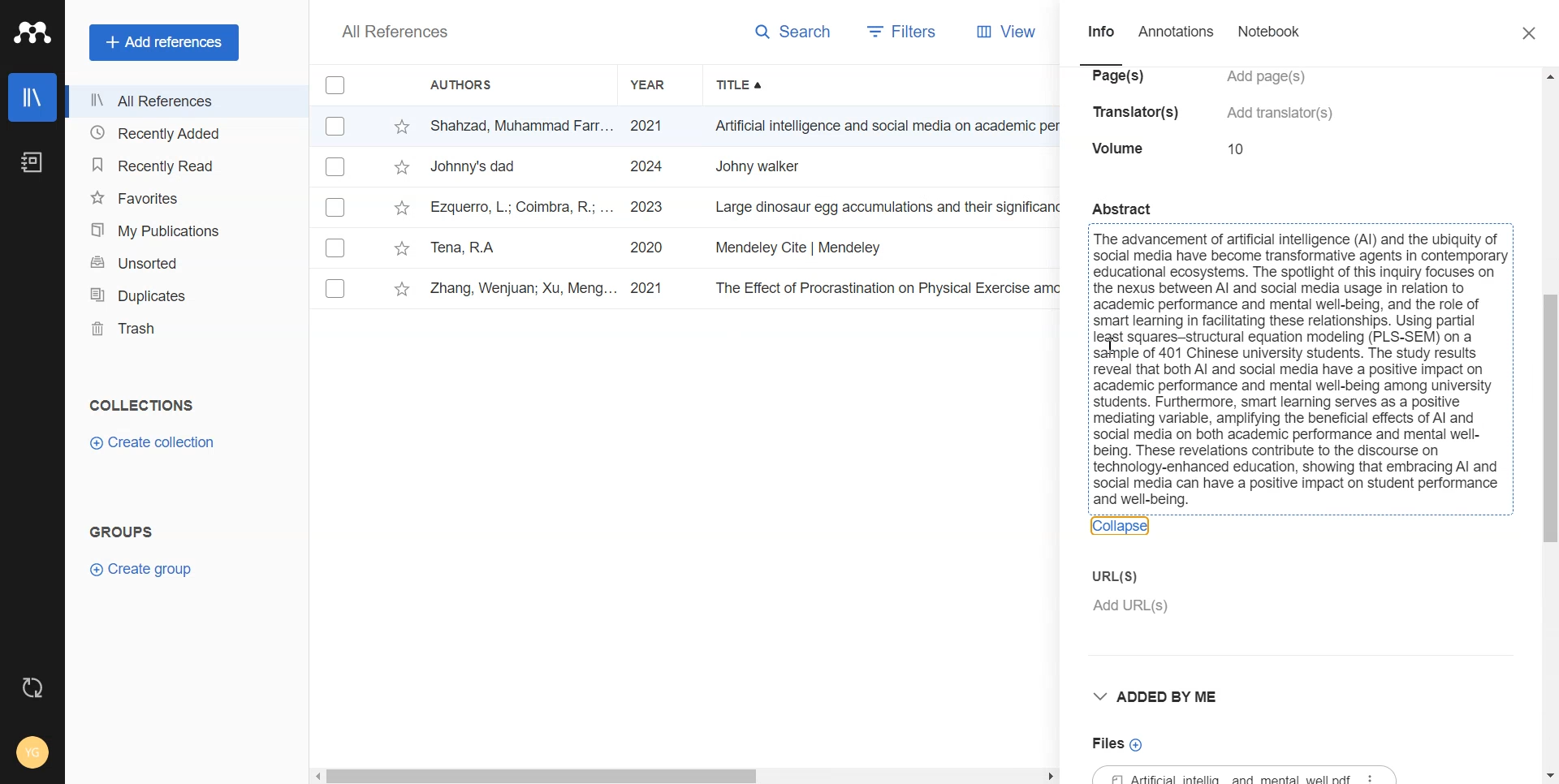  Describe the element at coordinates (175, 263) in the screenshot. I see `Unsorted` at that location.